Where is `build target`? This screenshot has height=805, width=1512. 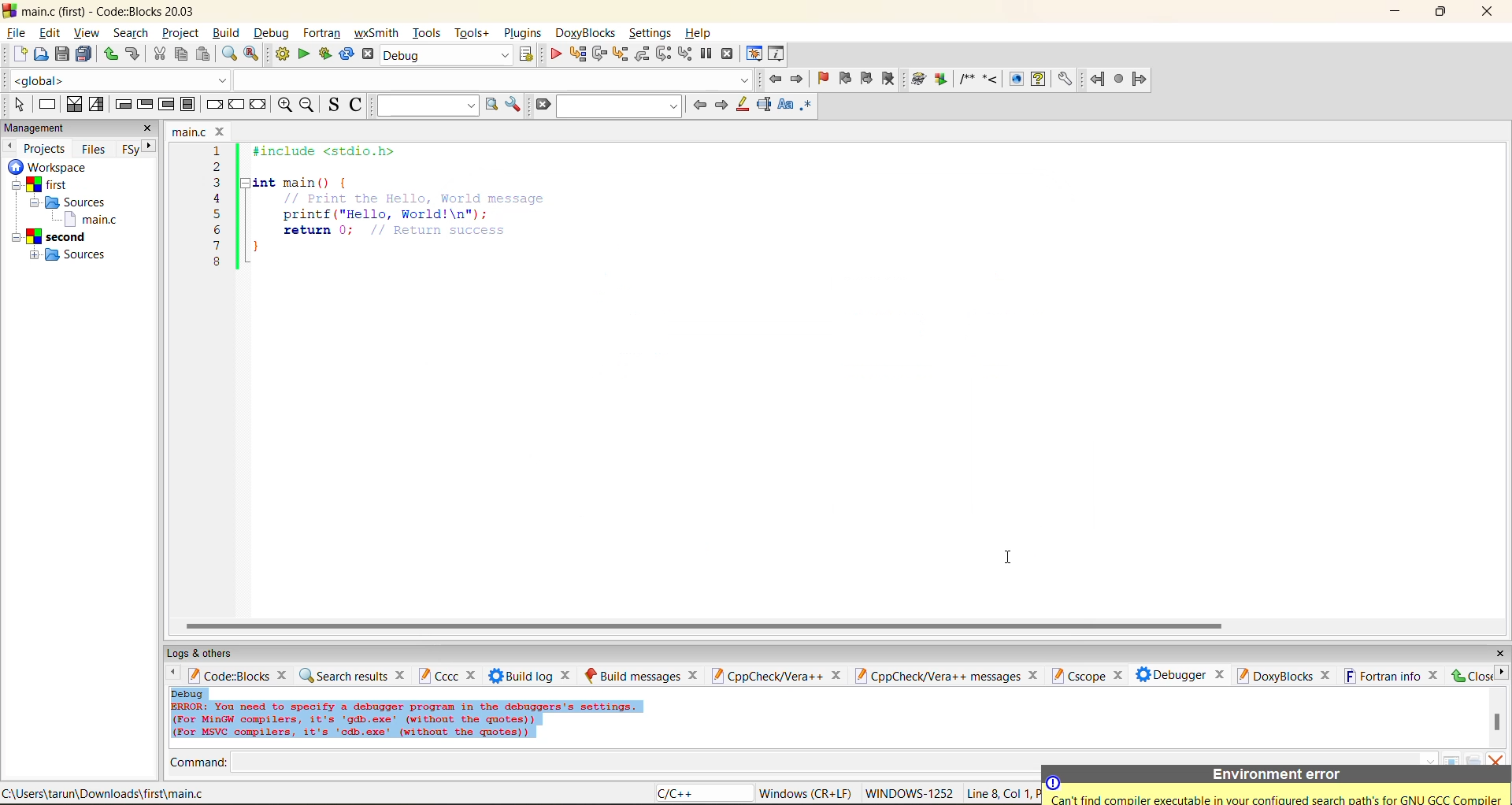
build target is located at coordinates (447, 54).